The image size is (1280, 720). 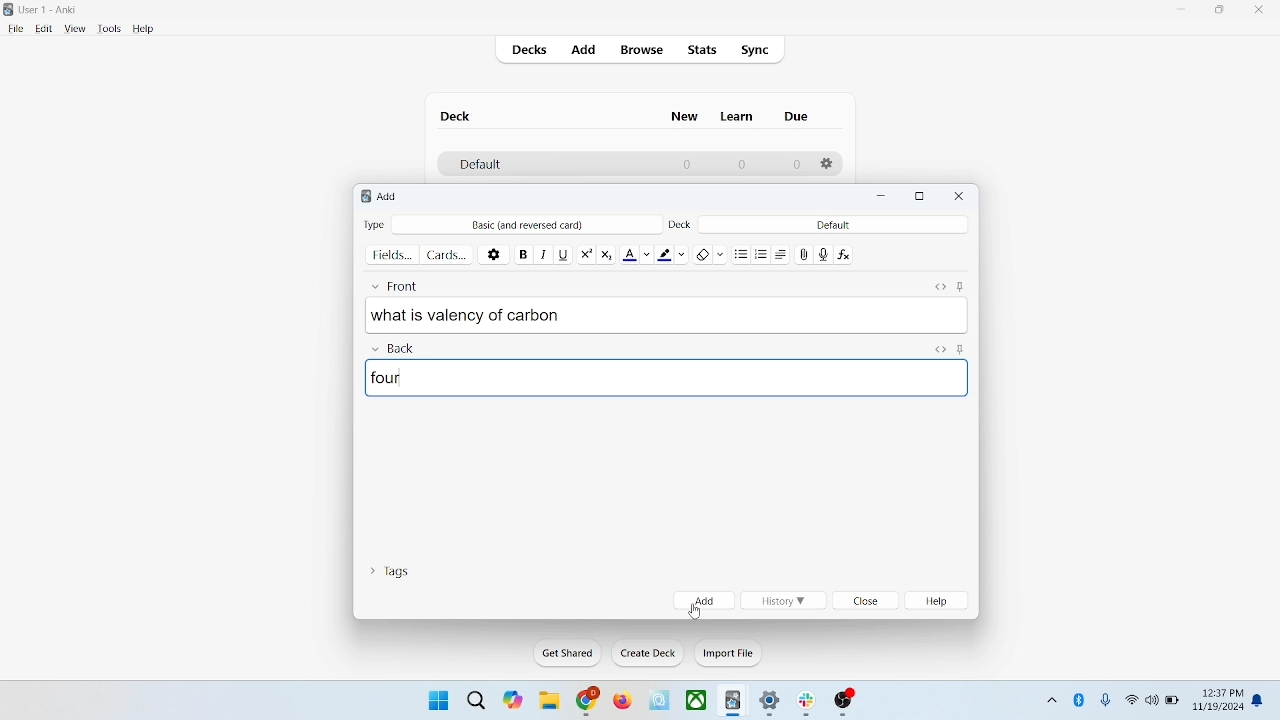 I want to click on create deck, so click(x=649, y=653).